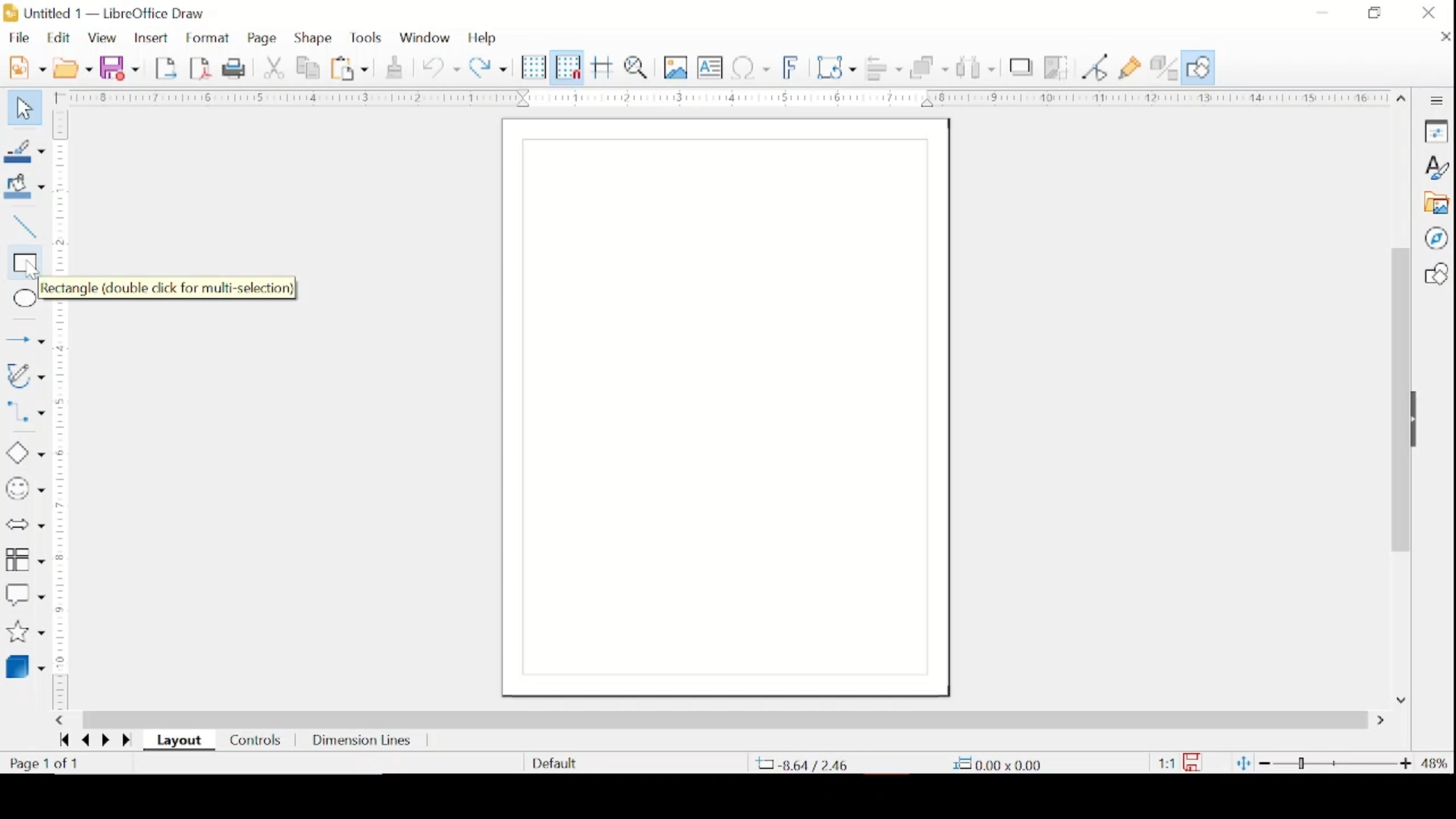  Describe the element at coordinates (24, 453) in the screenshot. I see `diamond` at that location.